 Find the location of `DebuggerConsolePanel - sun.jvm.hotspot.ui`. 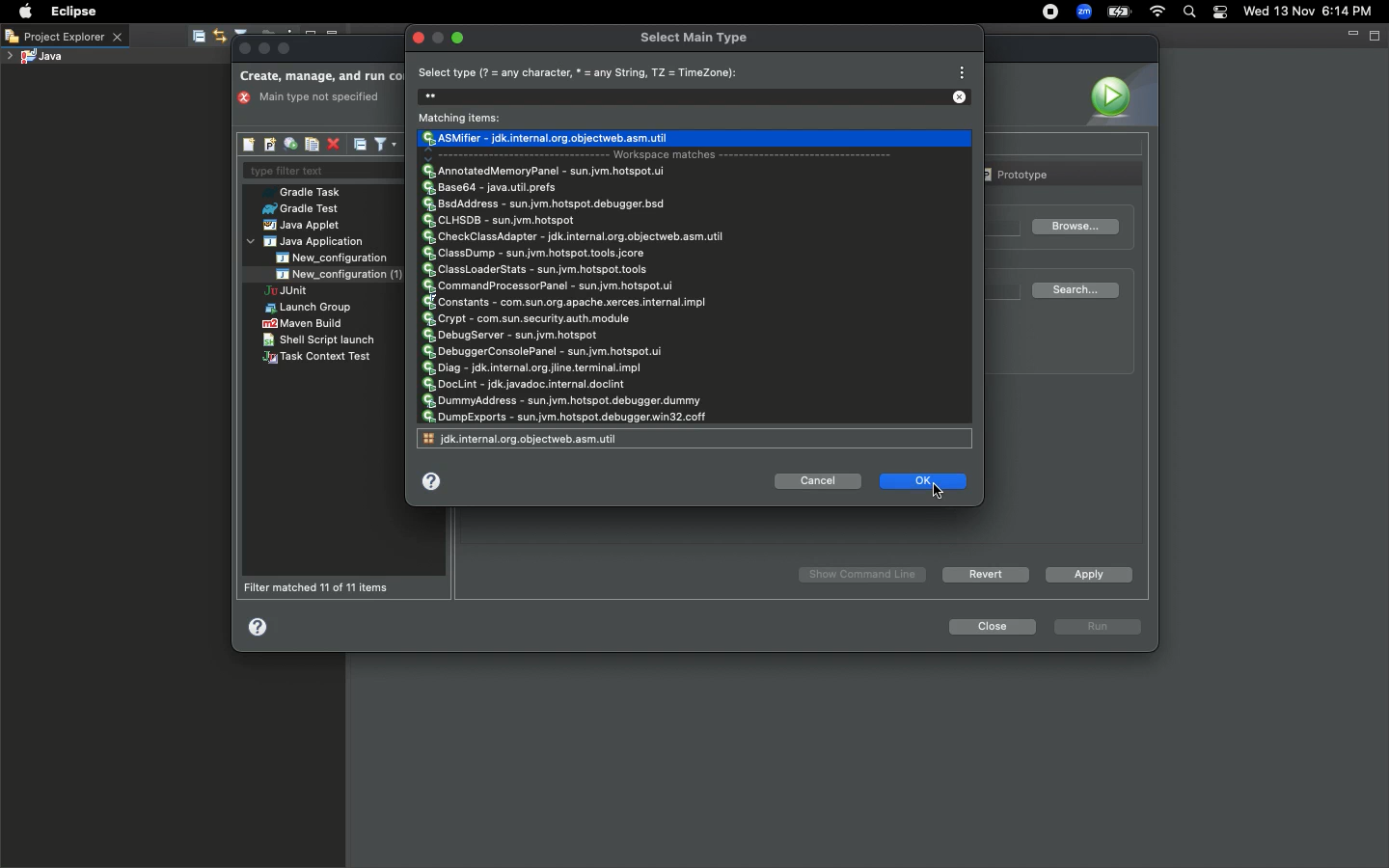

DebuggerConsolePanel - sun.jvm.hotspot.ui is located at coordinates (544, 352).